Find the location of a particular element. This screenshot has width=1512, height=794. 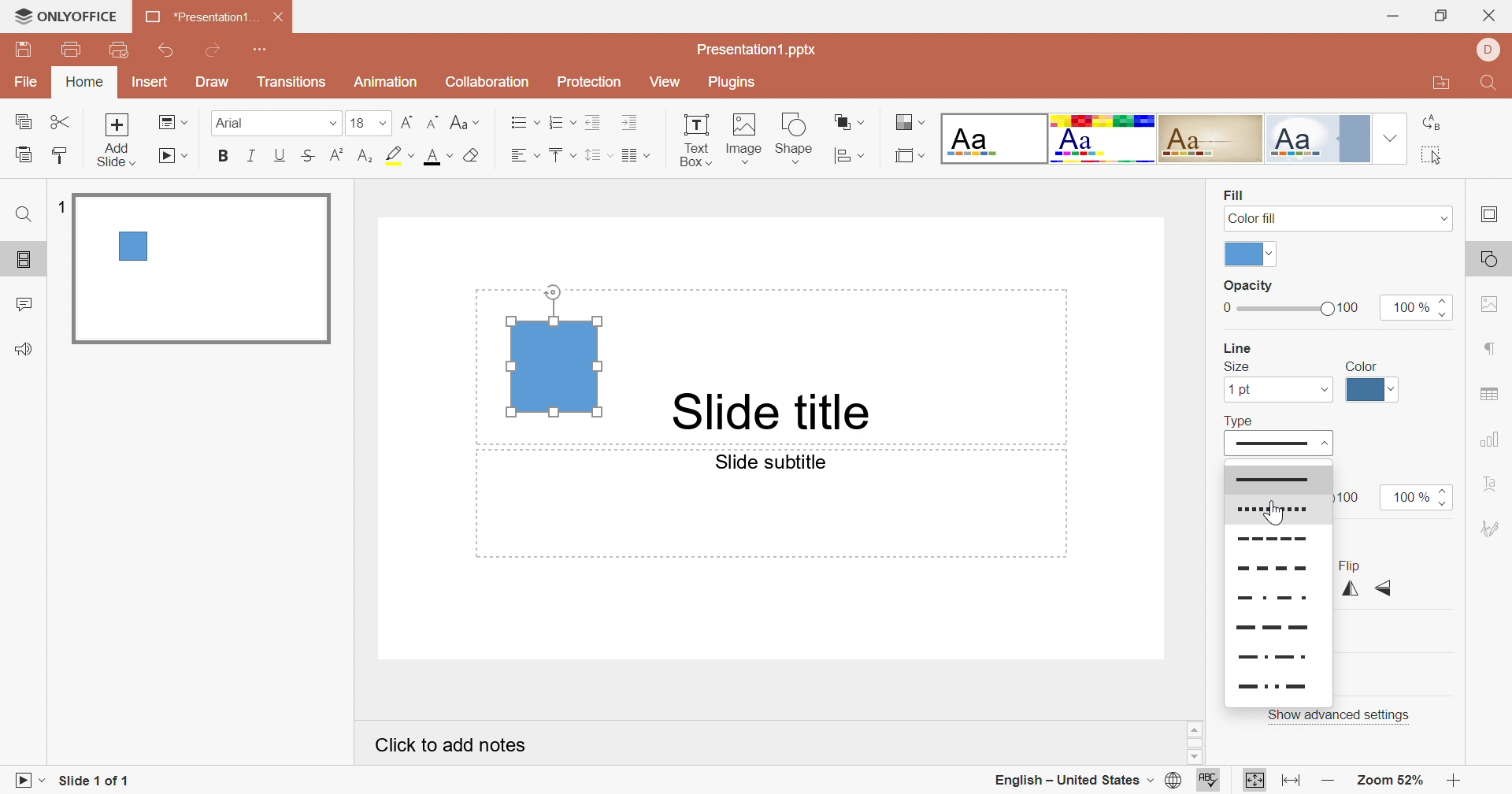

Decrease Indent is located at coordinates (595, 122).